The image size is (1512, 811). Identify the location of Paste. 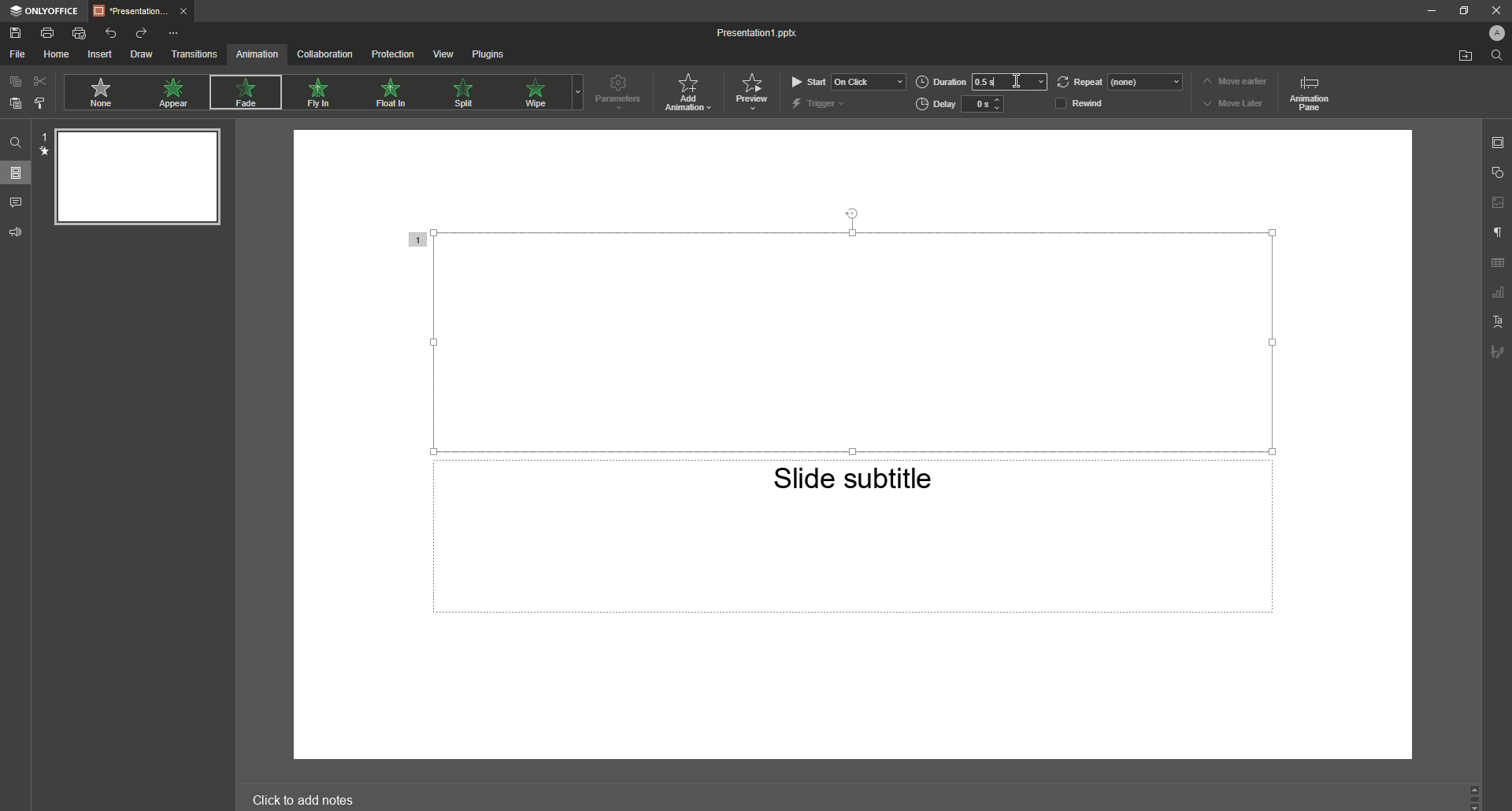
(15, 102).